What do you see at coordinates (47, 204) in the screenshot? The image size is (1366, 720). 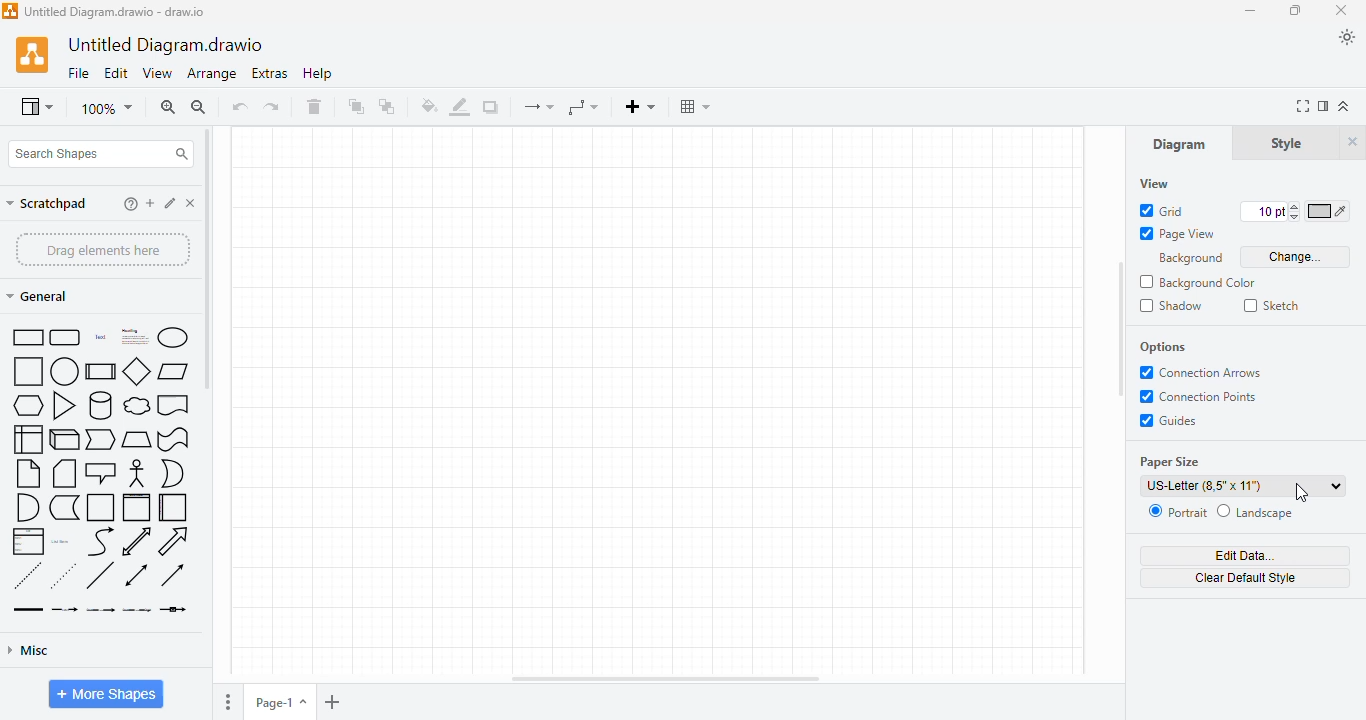 I see `scratchpad` at bounding box center [47, 204].